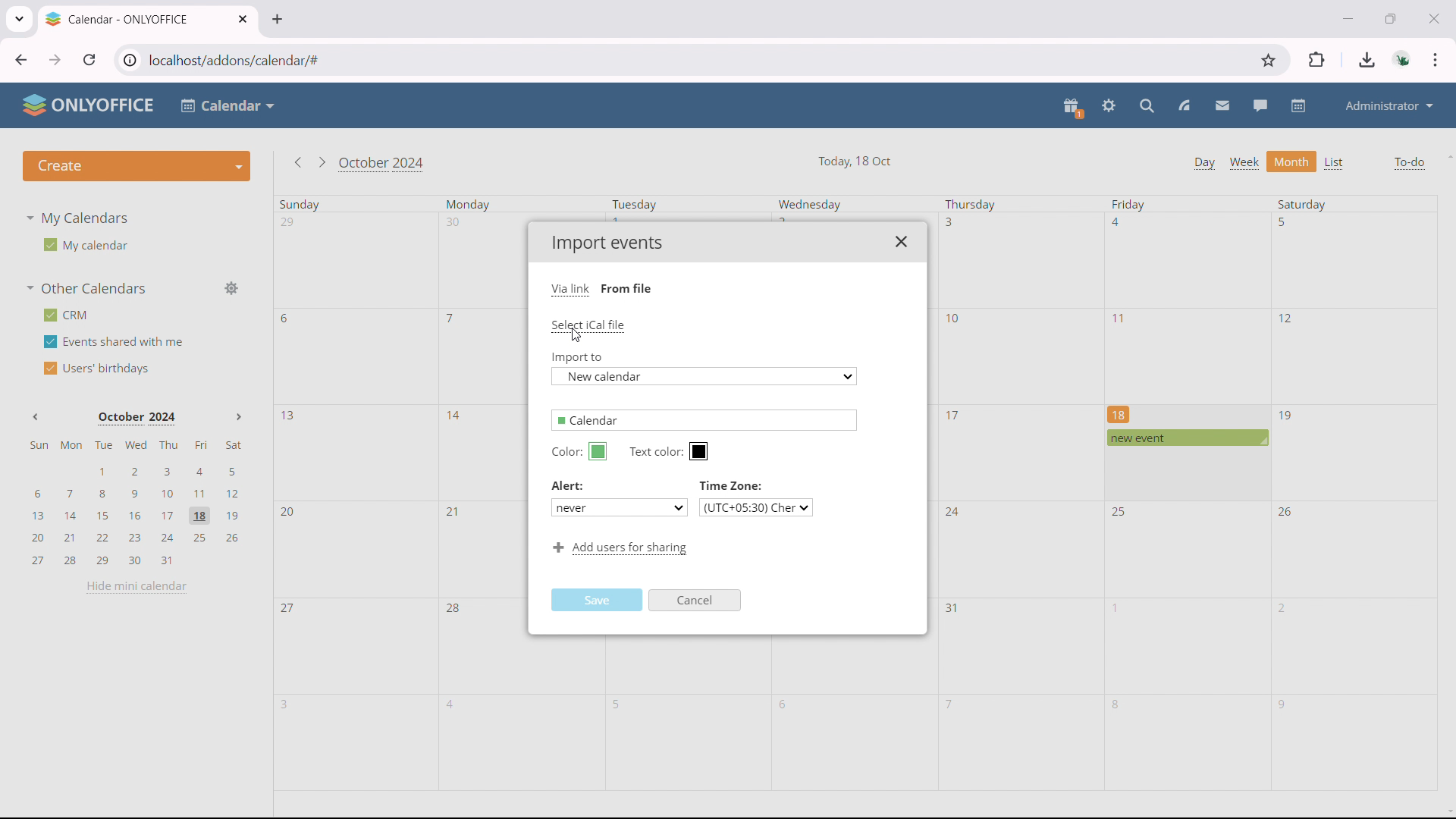  What do you see at coordinates (136, 586) in the screenshot?
I see `hide mini calendar` at bounding box center [136, 586].